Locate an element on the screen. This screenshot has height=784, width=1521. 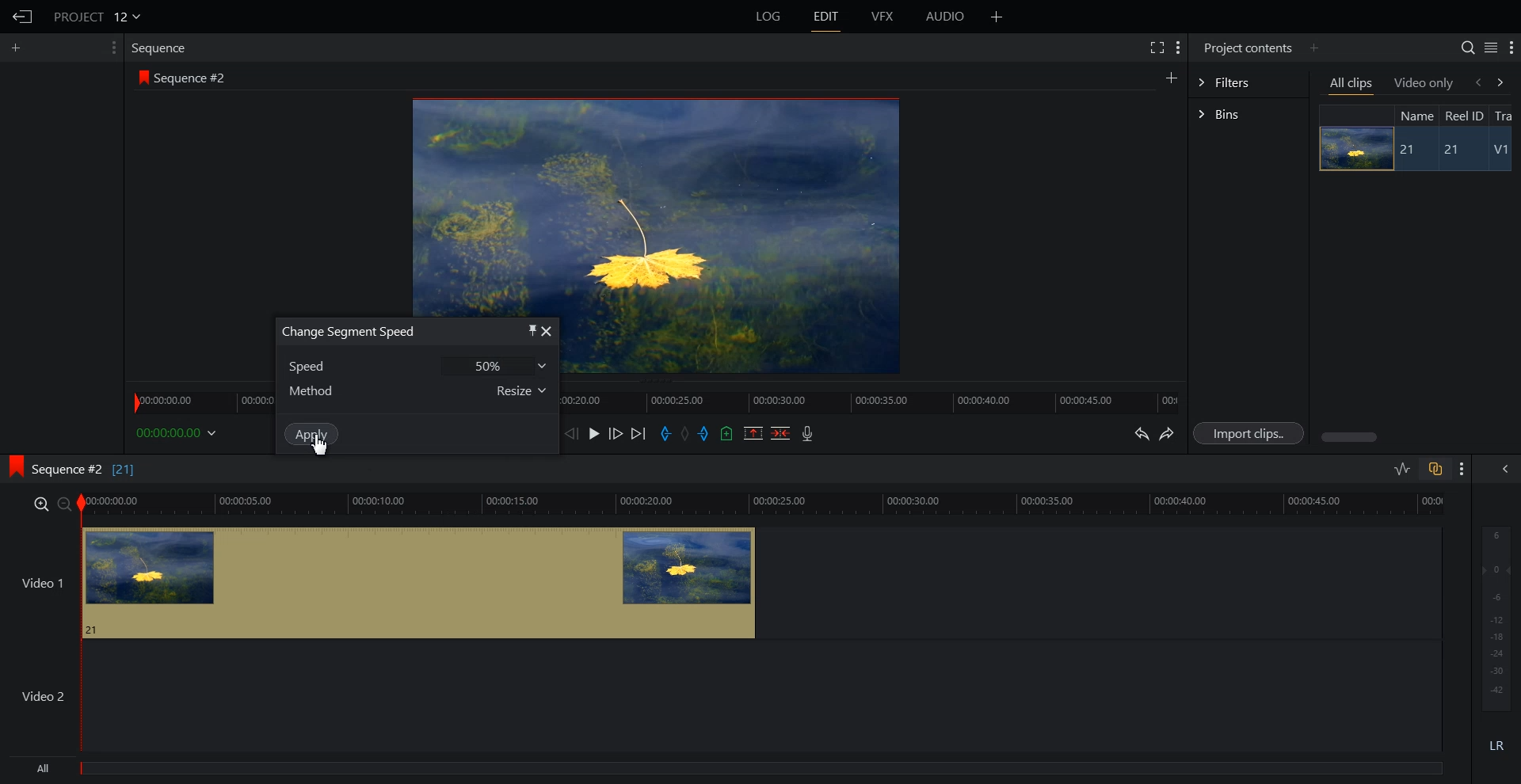
Clear all marks is located at coordinates (686, 434).